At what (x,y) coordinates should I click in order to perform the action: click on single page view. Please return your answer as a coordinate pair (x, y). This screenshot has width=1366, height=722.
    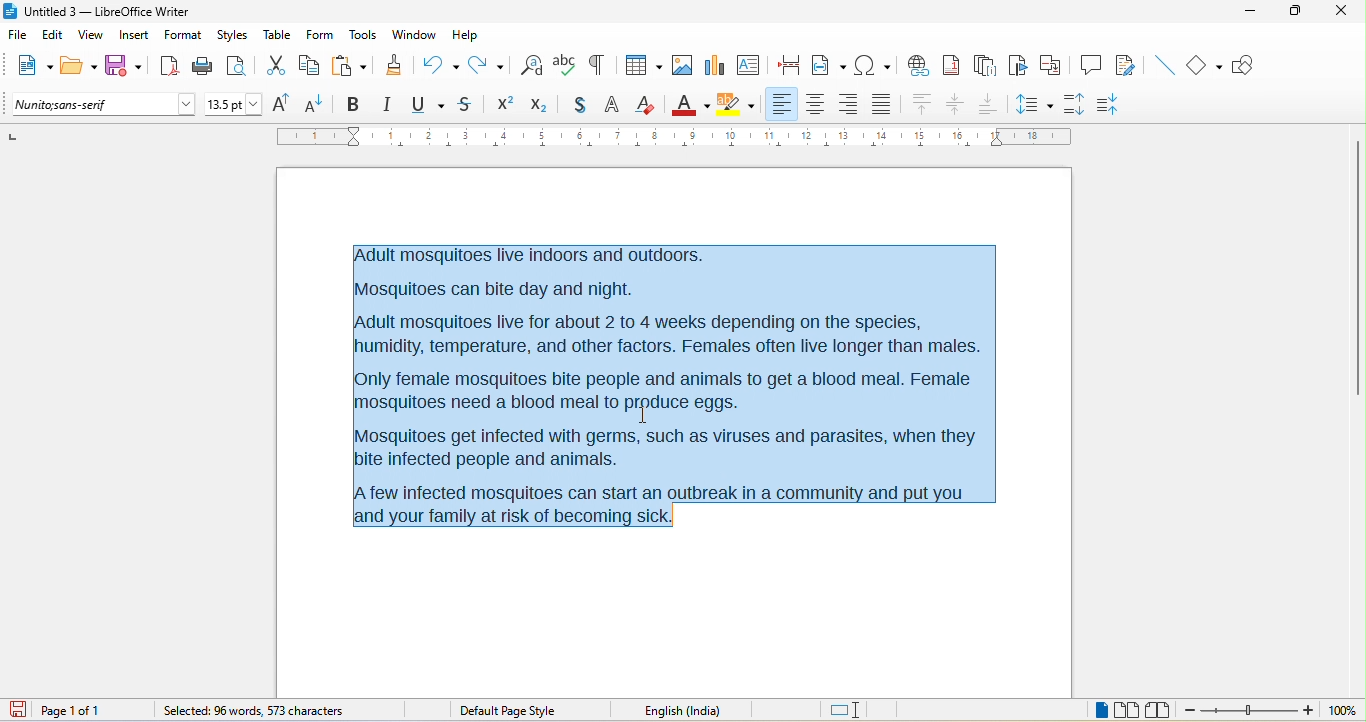
    Looking at the image, I should click on (1099, 711).